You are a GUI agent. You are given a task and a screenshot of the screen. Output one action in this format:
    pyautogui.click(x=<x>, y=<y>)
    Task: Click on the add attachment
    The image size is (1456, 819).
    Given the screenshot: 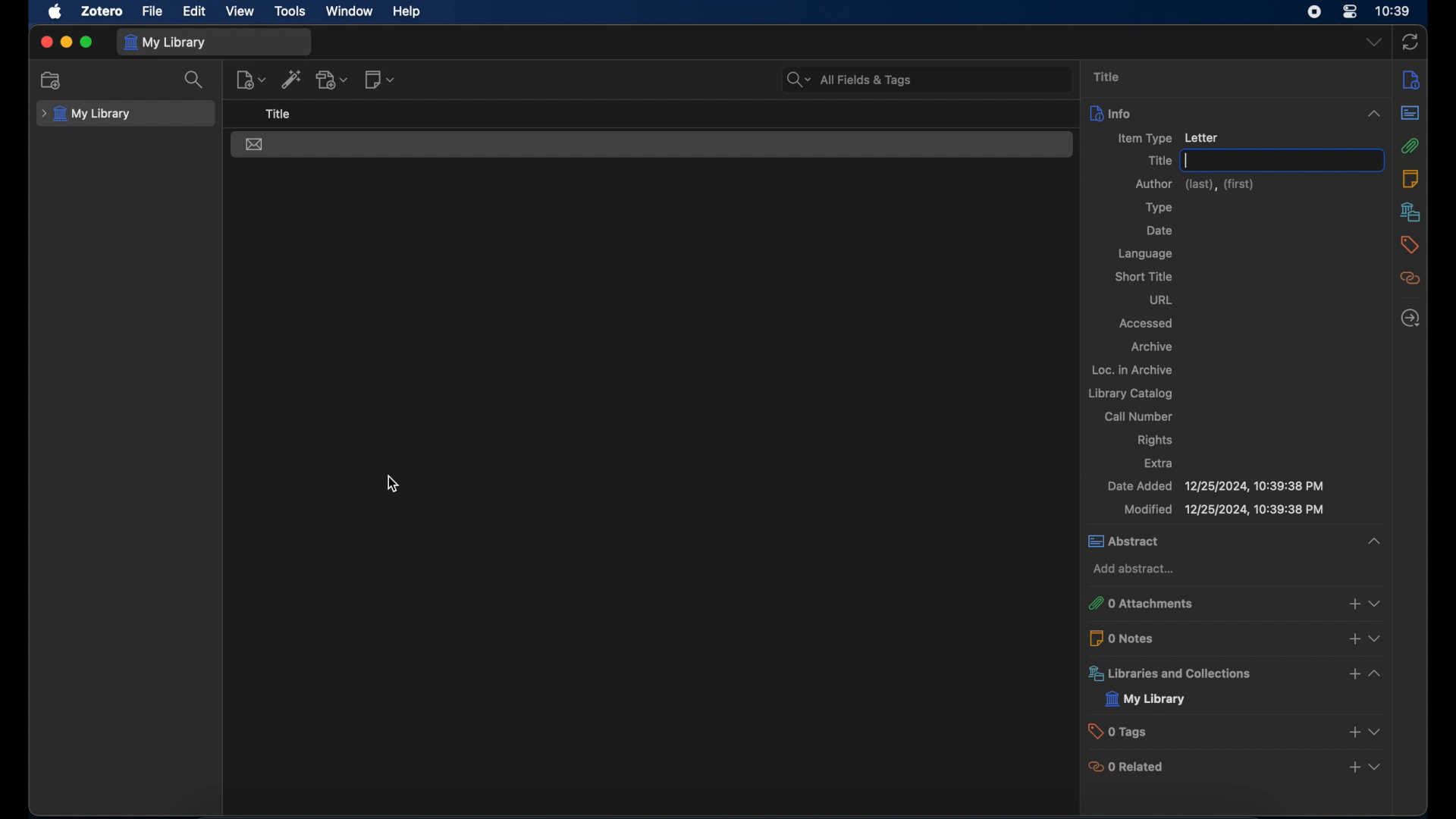 What is the action you would take?
    pyautogui.click(x=334, y=80)
    